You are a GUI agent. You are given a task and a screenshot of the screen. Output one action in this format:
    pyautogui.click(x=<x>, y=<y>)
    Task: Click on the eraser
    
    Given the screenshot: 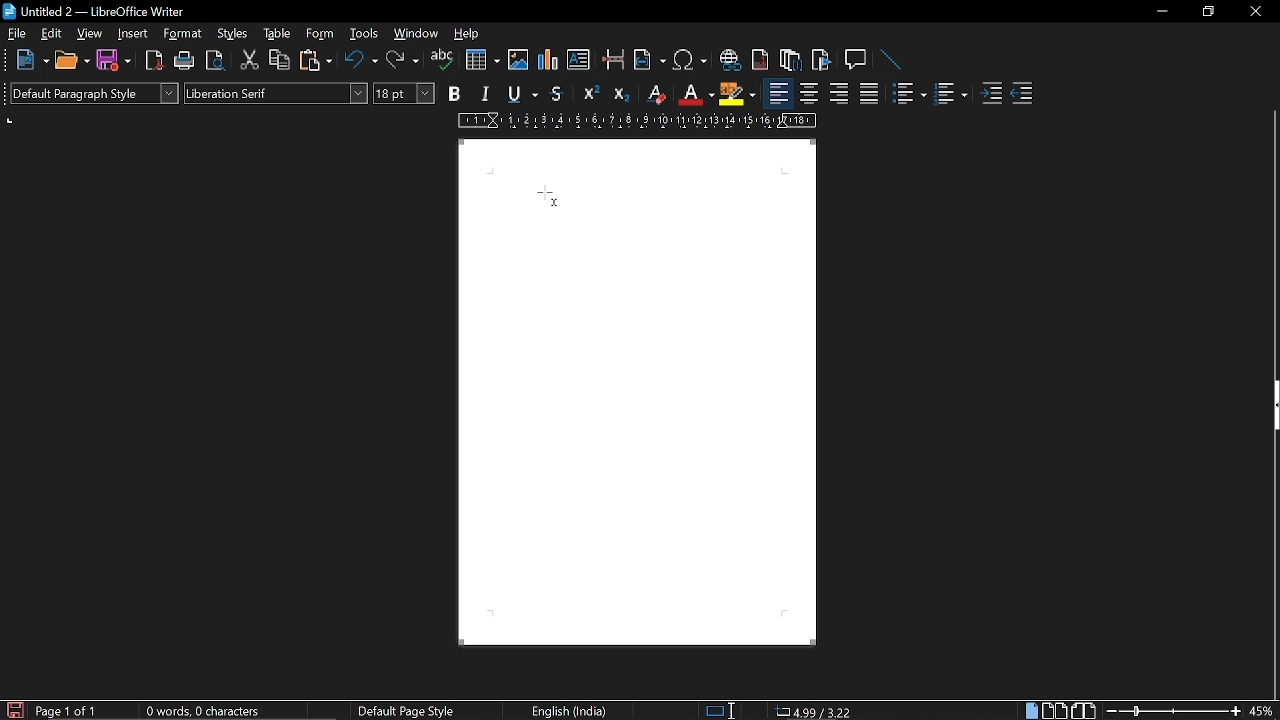 What is the action you would take?
    pyautogui.click(x=654, y=94)
    